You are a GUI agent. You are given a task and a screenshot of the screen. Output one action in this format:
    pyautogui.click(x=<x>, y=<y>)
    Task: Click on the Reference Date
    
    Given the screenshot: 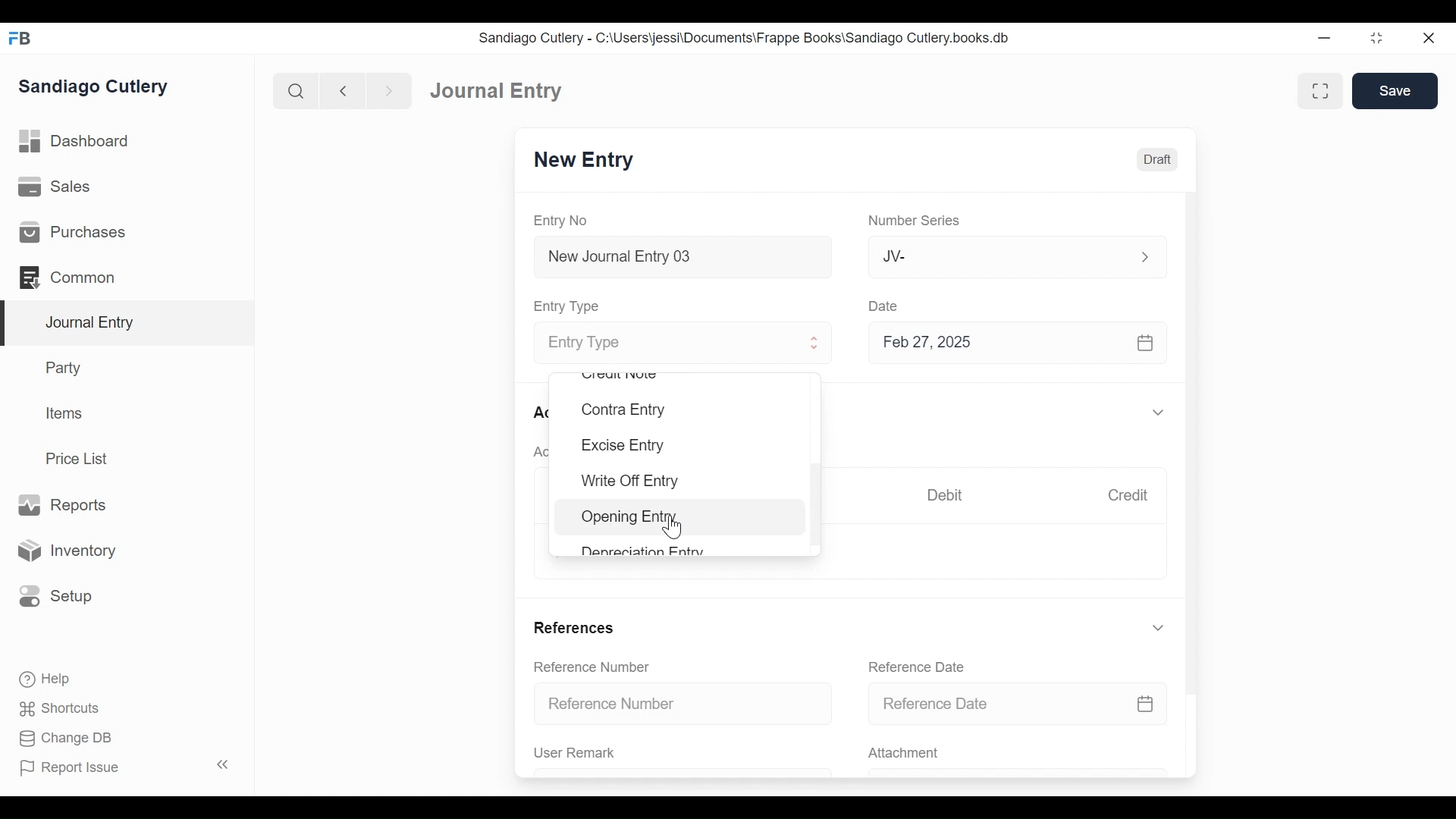 What is the action you would take?
    pyautogui.click(x=1029, y=703)
    